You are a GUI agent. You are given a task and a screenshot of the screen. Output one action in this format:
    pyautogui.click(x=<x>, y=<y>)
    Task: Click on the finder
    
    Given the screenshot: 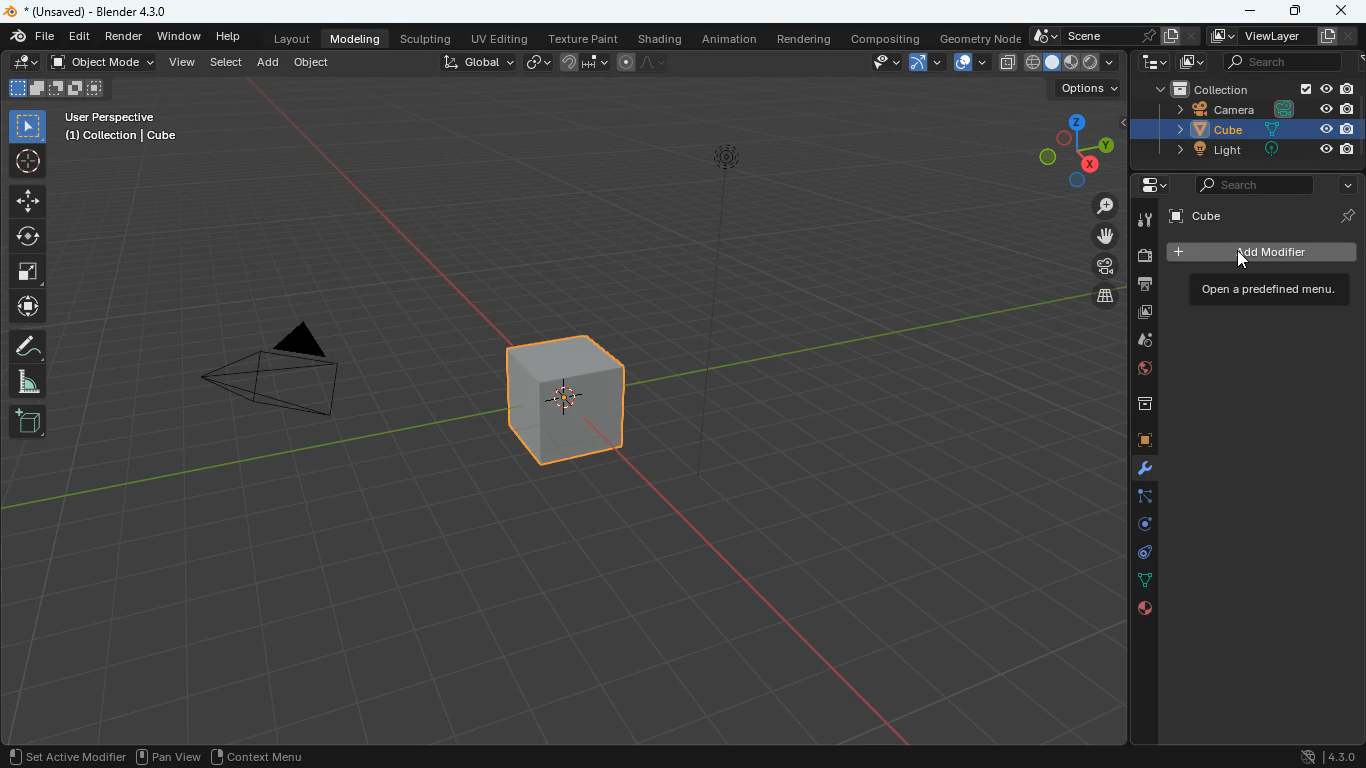 What is the action you would take?
    pyautogui.click(x=33, y=38)
    